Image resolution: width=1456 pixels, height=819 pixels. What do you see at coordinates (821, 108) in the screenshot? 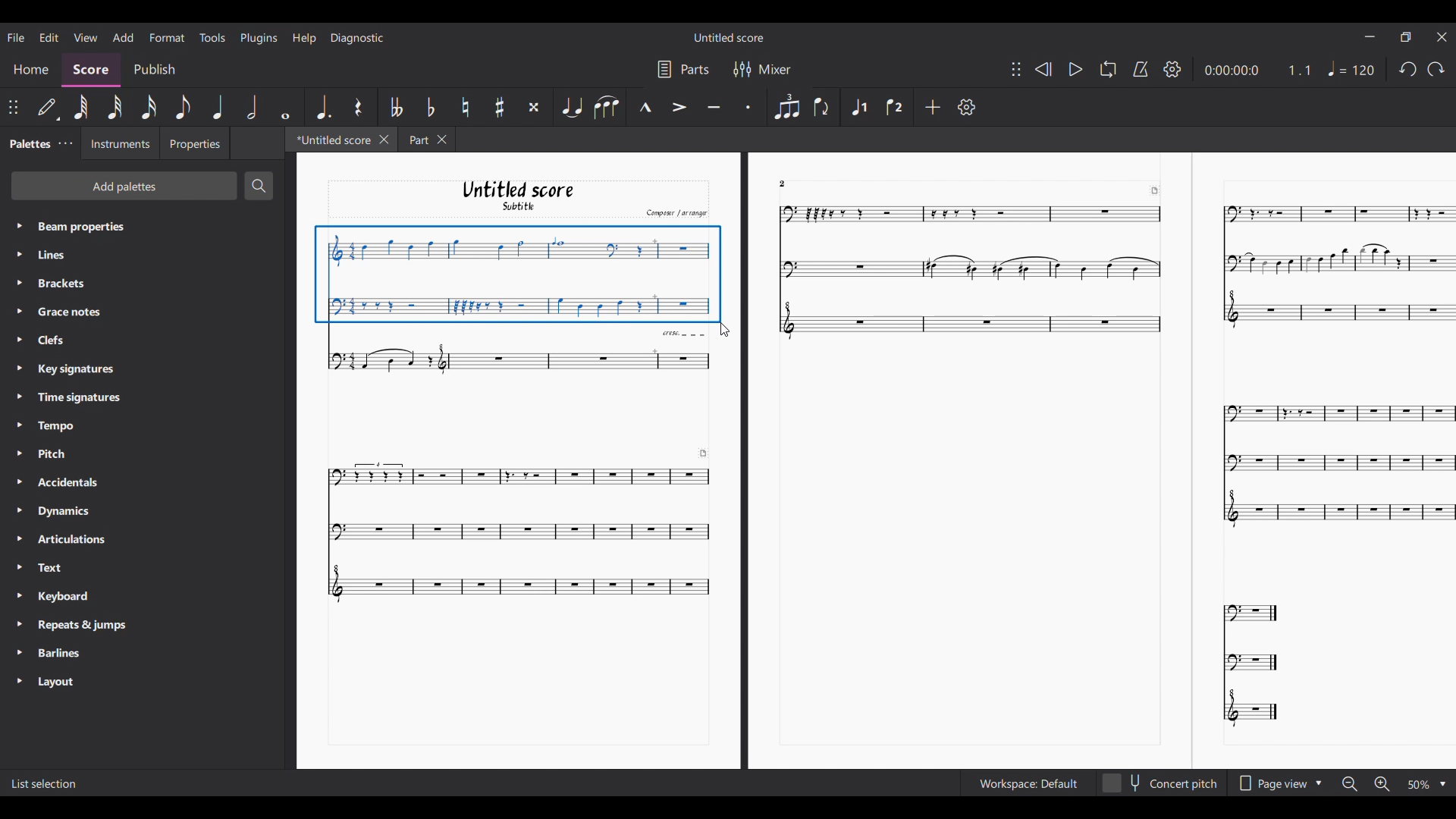
I see `Flip direction` at bounding box center [821, 108].